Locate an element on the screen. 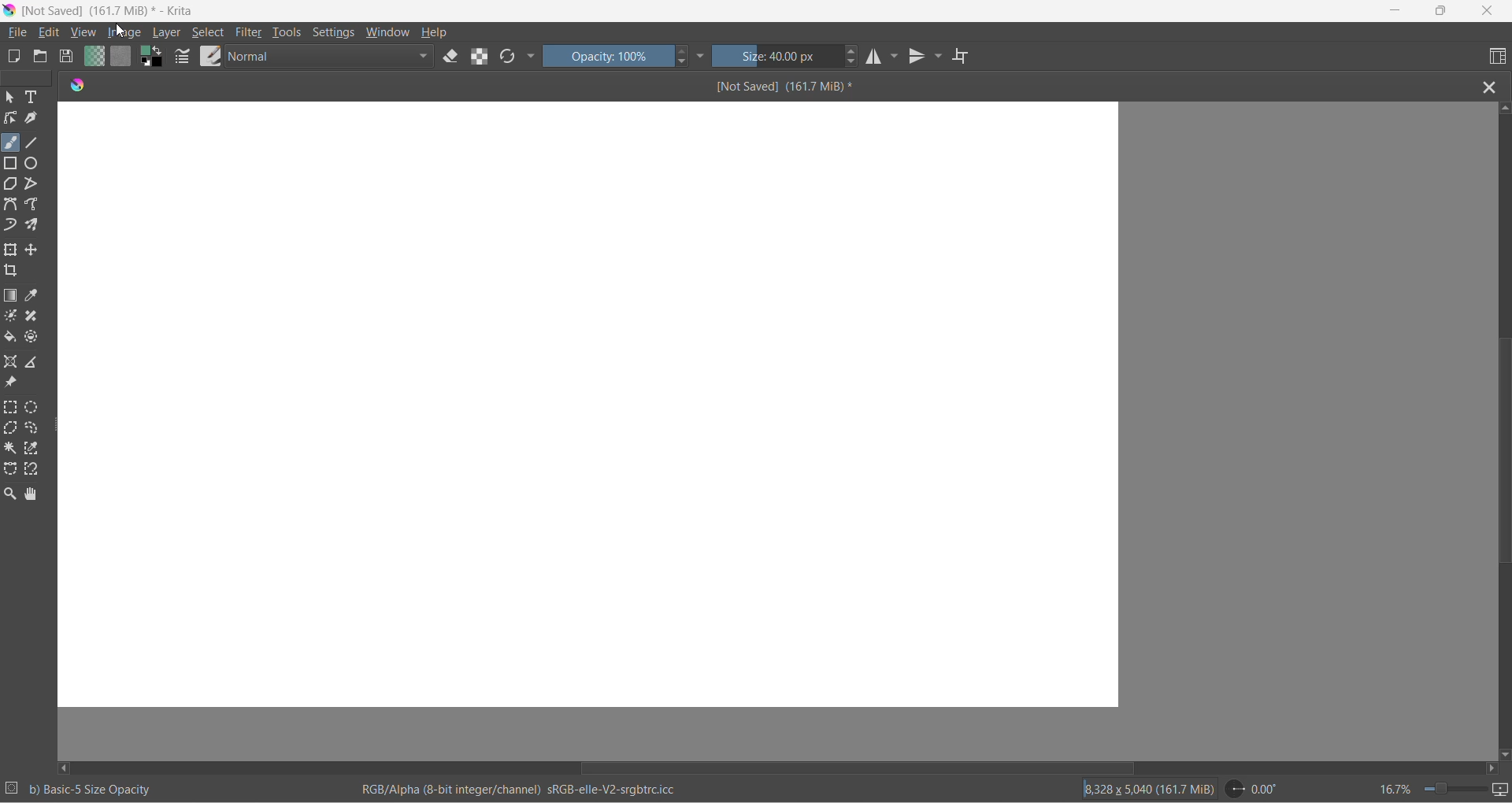  zoom percentage is located at coordinates (1394, 787).